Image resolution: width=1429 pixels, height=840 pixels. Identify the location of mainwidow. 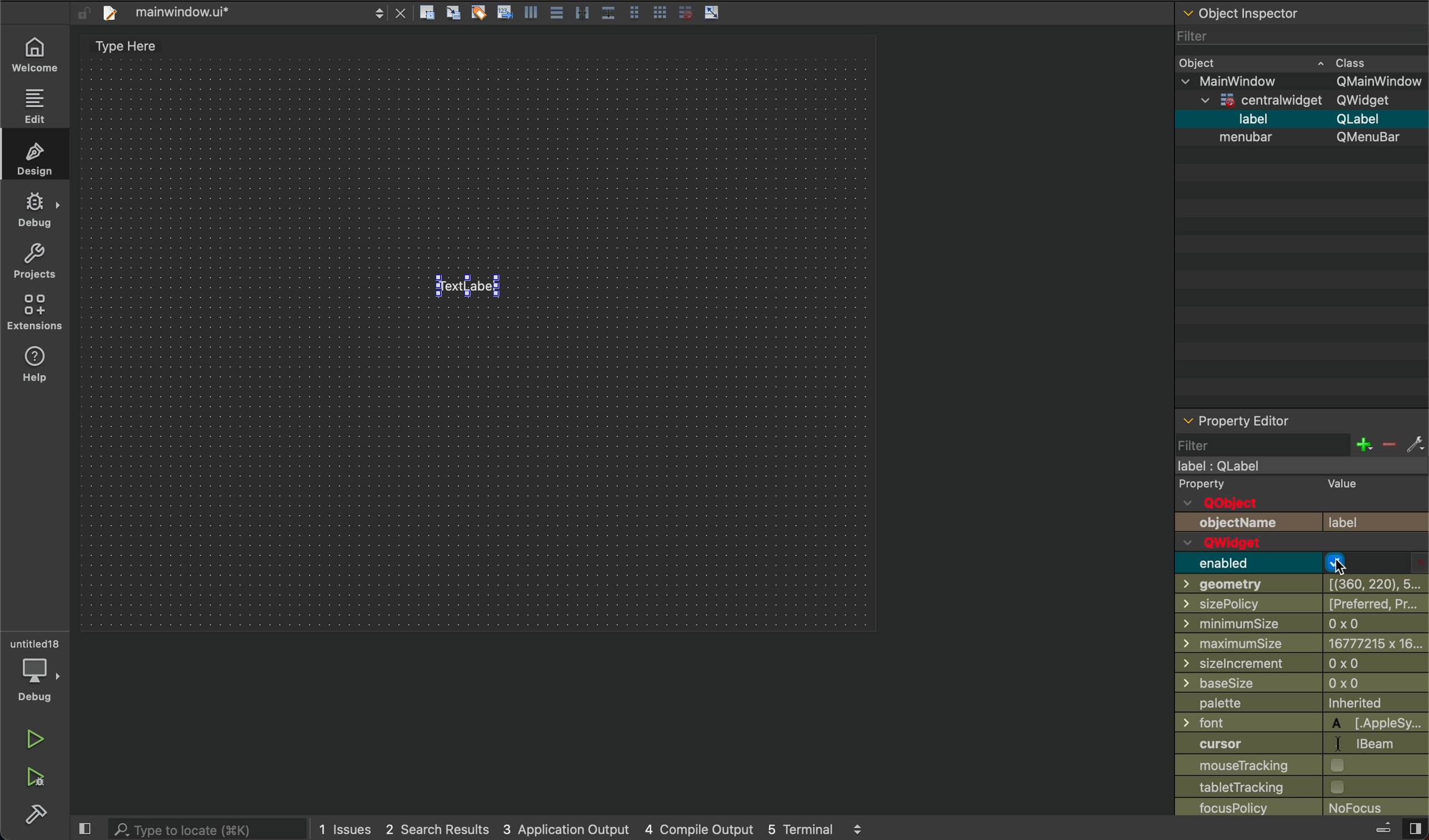
(1236, 80).